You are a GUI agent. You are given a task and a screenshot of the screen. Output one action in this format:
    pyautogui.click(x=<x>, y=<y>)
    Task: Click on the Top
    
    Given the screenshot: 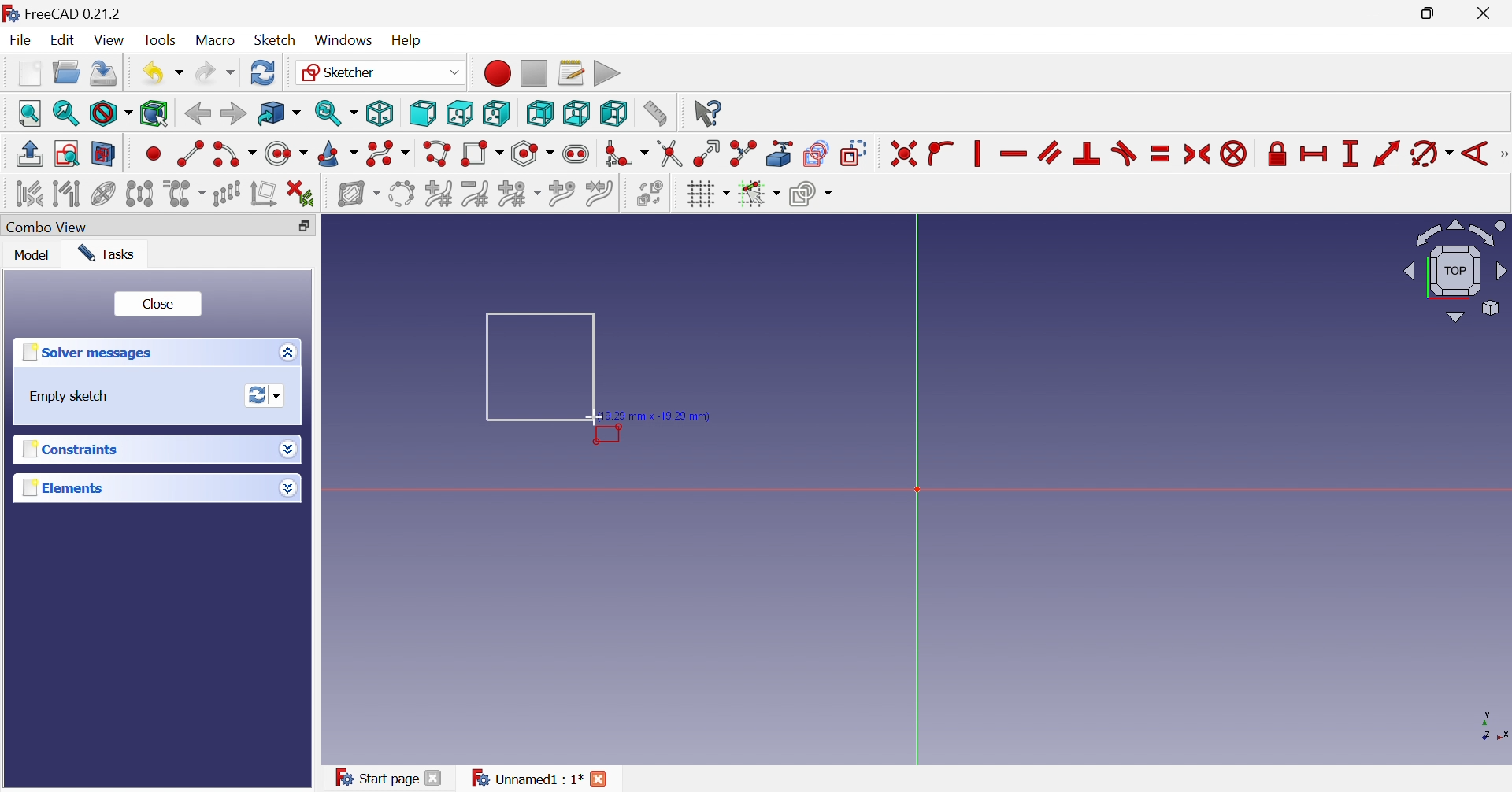 What is the action you would take?
    pyautogui.click(x=461, y=113)
    